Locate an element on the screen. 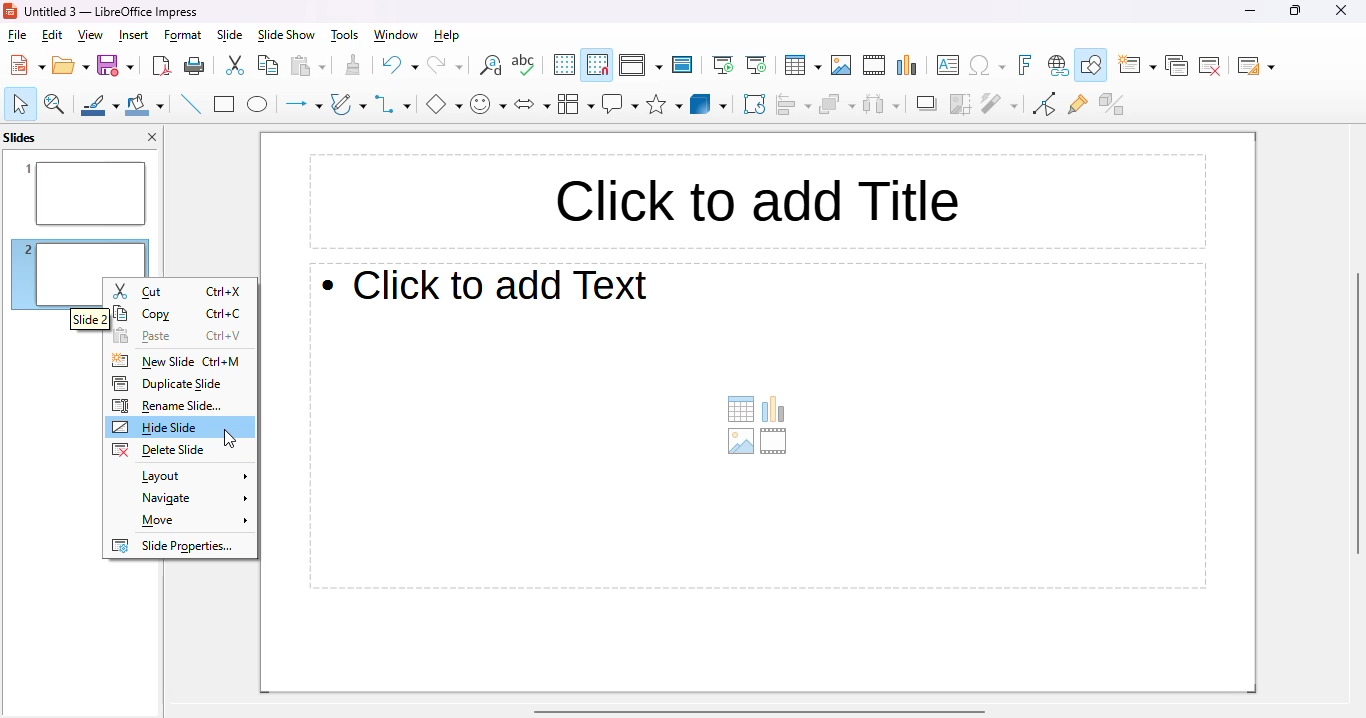 This screenshot has width=1366, height=718. show gluepoint functions is located at coordinates (1077, 105).